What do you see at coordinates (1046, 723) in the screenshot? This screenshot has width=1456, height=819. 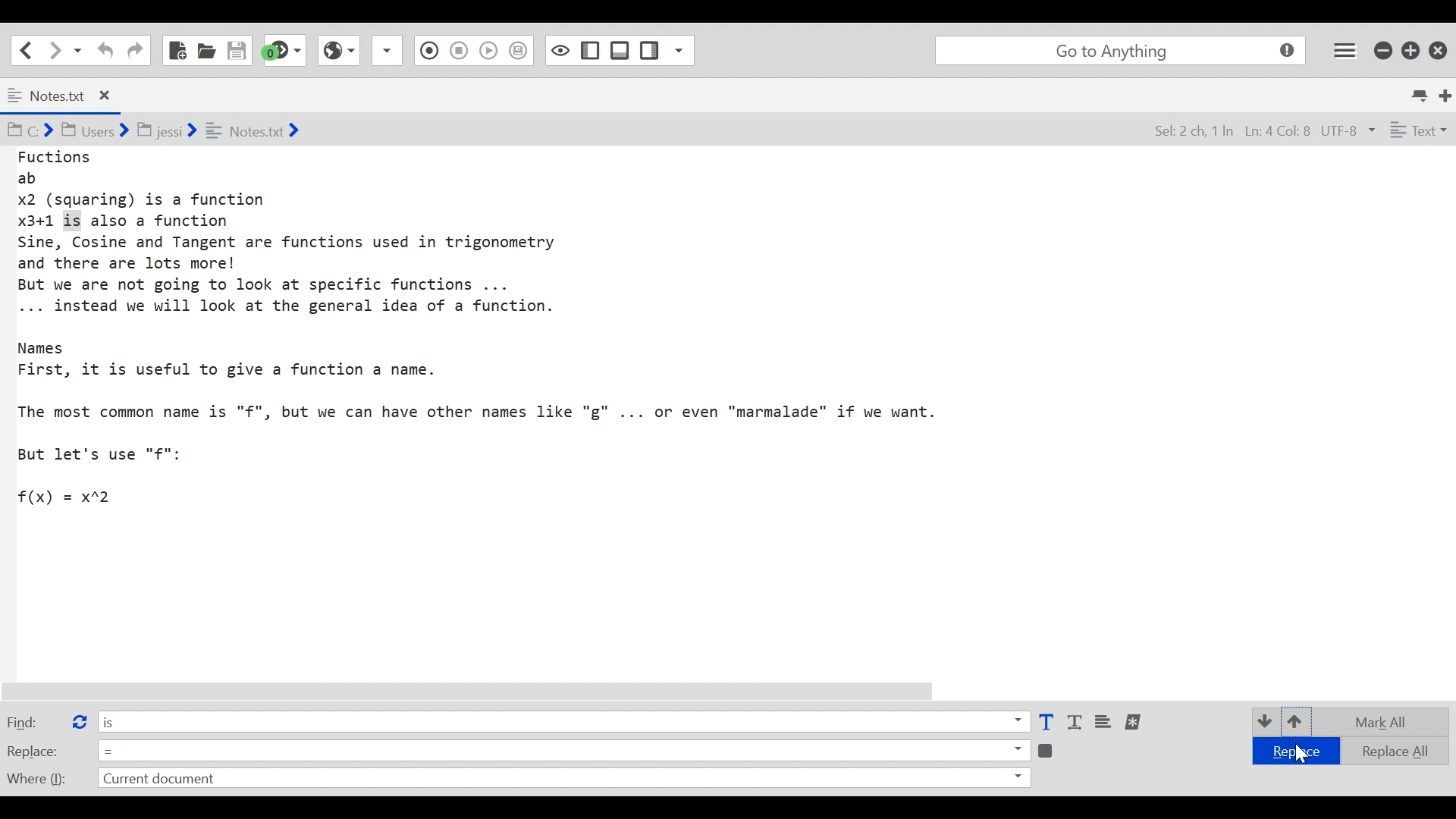 I see `match case` at bounding box center [1046, 723].